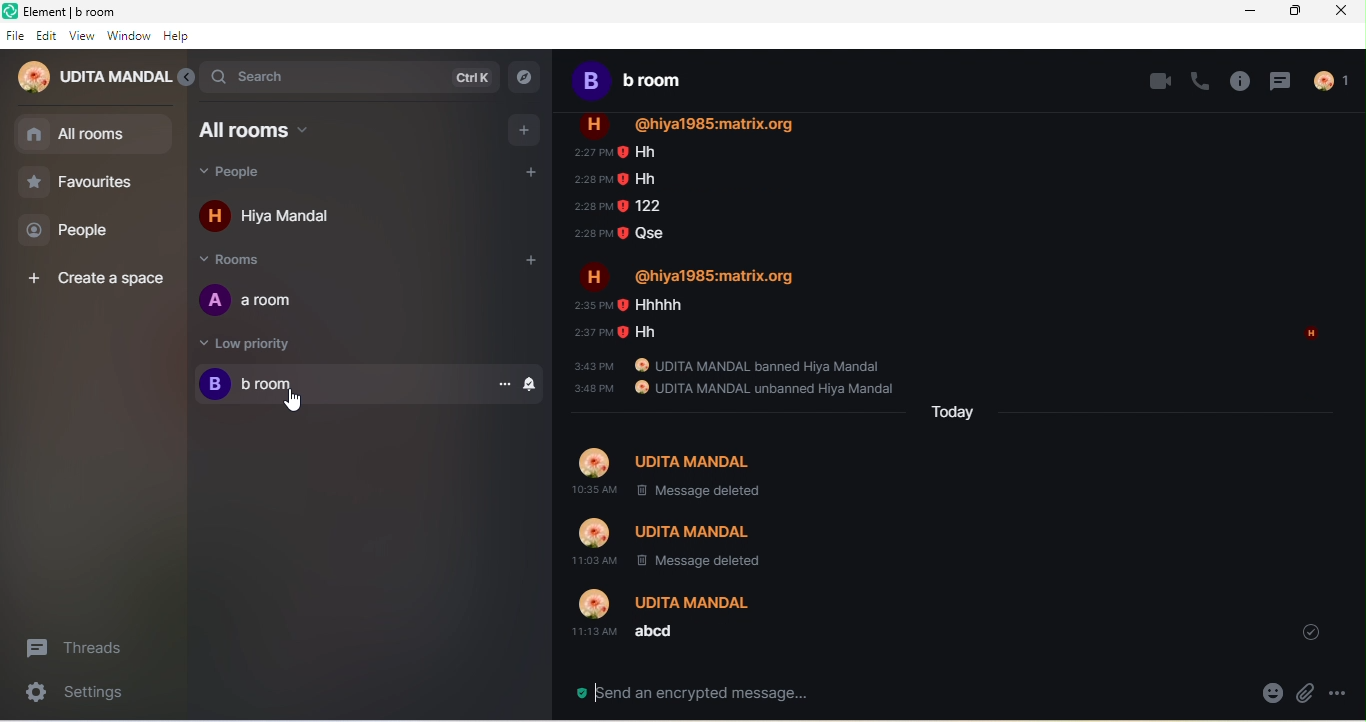 The width and height of the screenshot is (1366, 722). I want to click on search, so click(350, 77).